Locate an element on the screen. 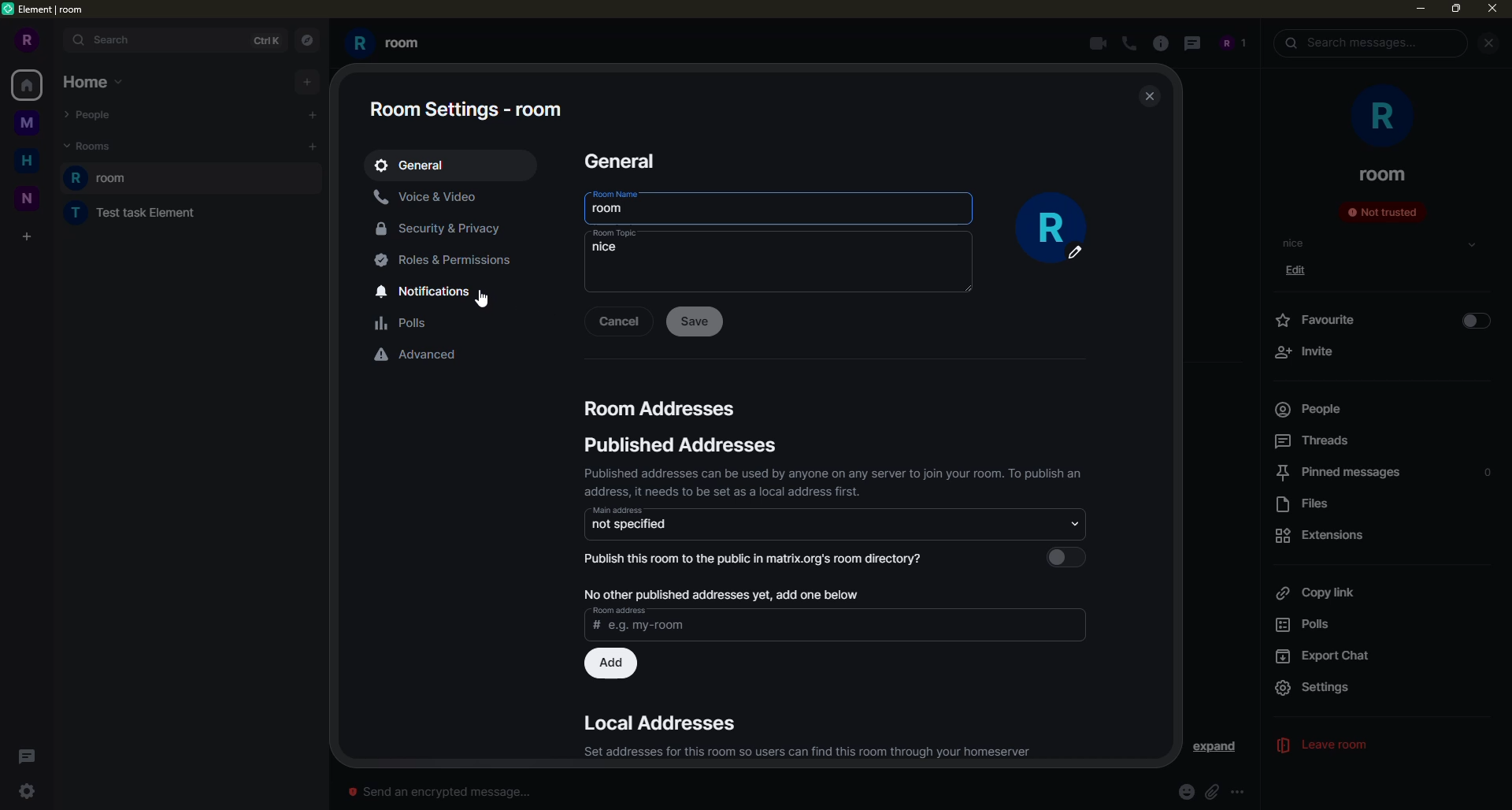 This screenshot has height=810, width=1512. 0 is located at coordinates (1488, 473).